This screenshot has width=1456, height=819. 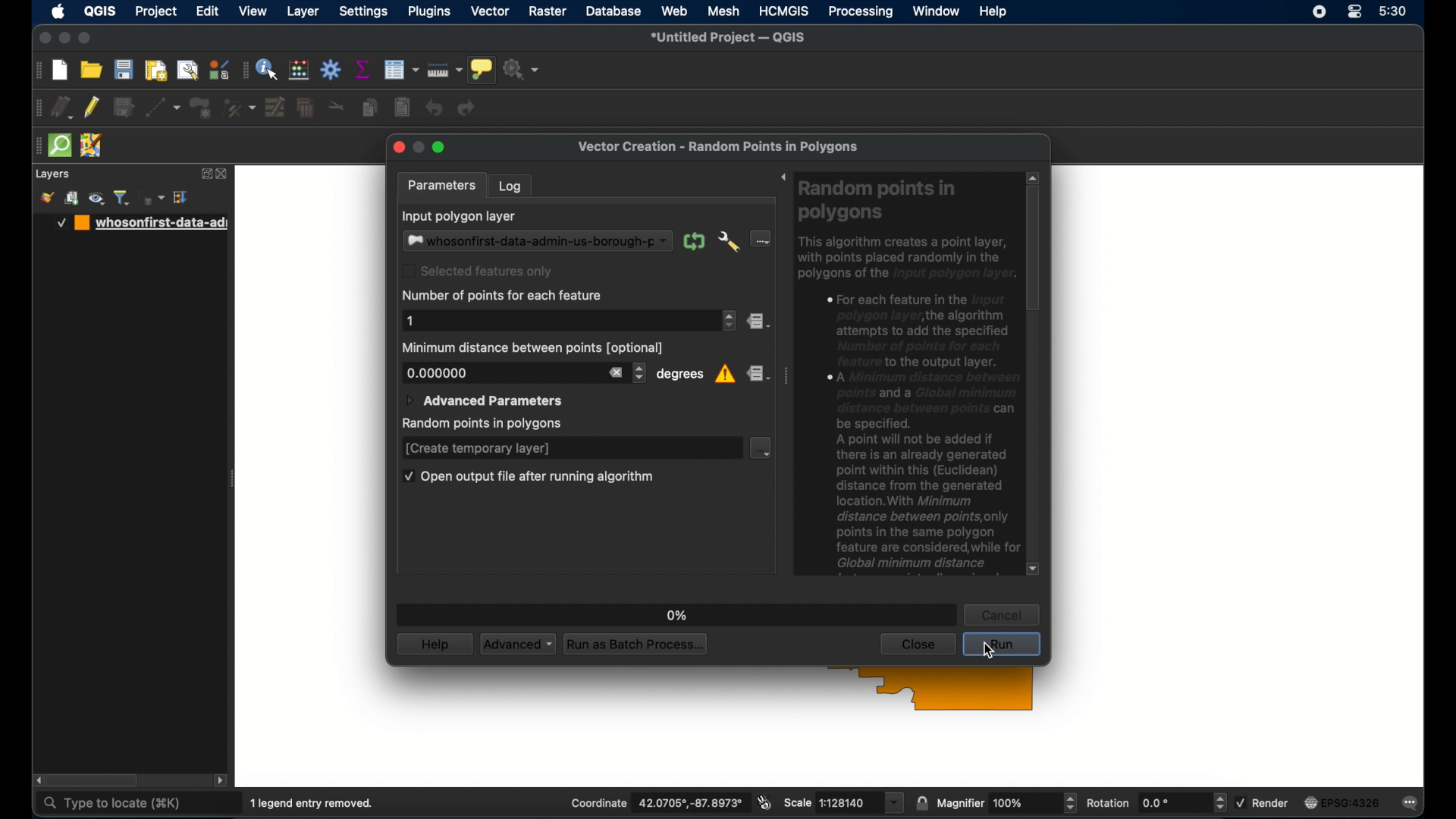 I want to click on style manager, so click(x=46, y=198).